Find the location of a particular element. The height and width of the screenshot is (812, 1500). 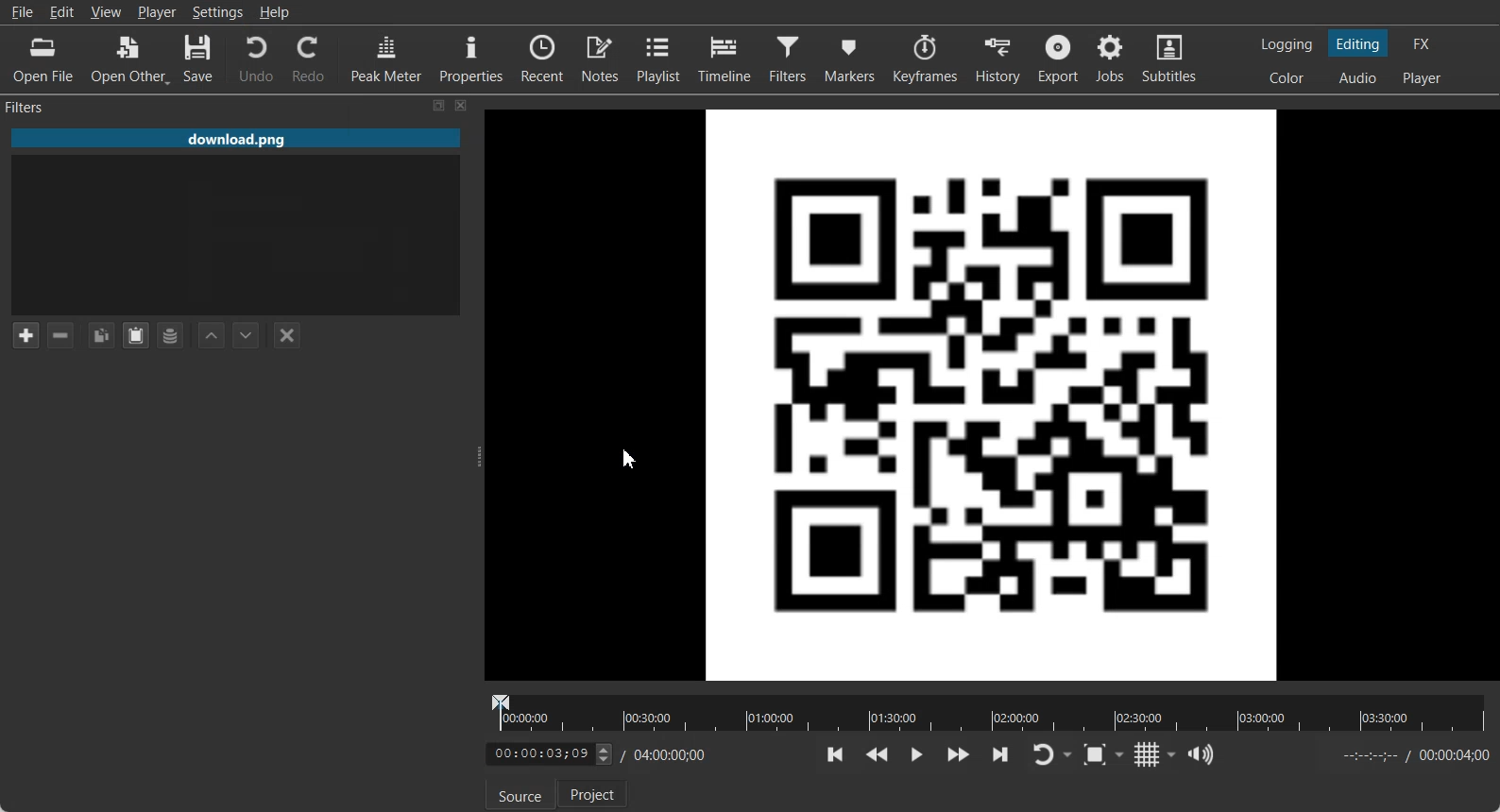

Switch to the Player only layout is located at coordinates (1423, 79).